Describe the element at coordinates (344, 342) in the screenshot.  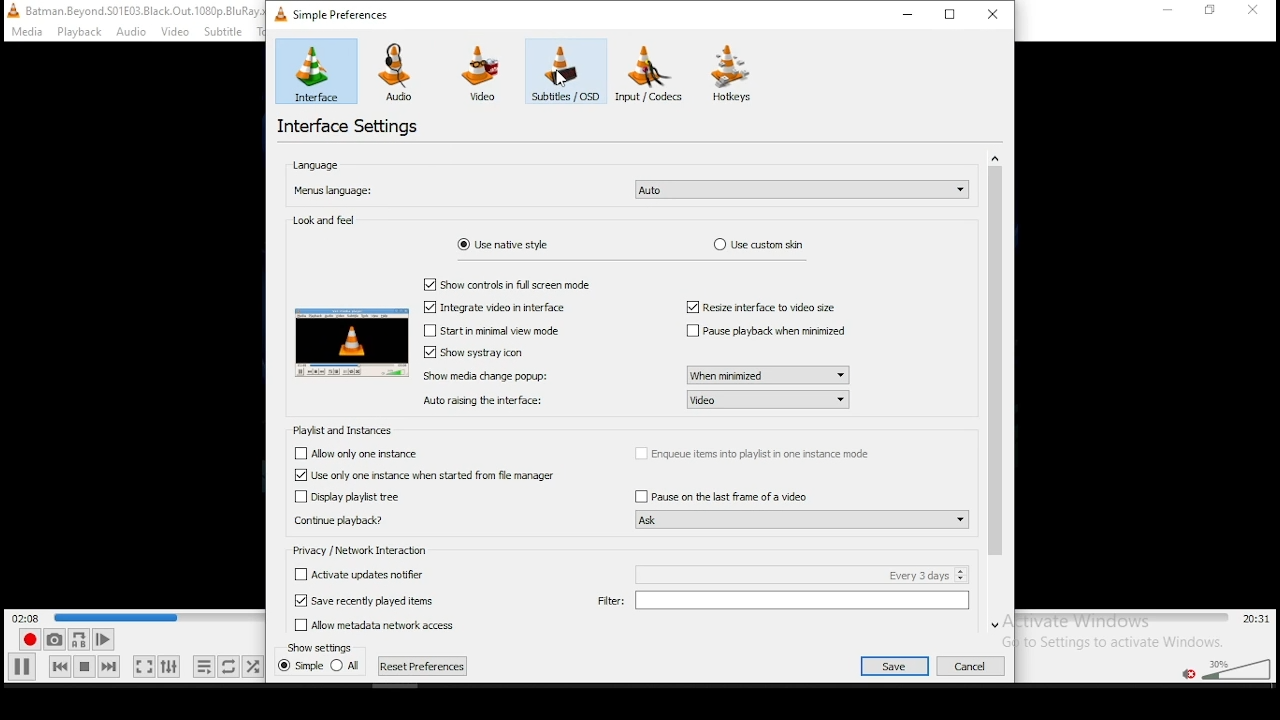
I see `` at that location.